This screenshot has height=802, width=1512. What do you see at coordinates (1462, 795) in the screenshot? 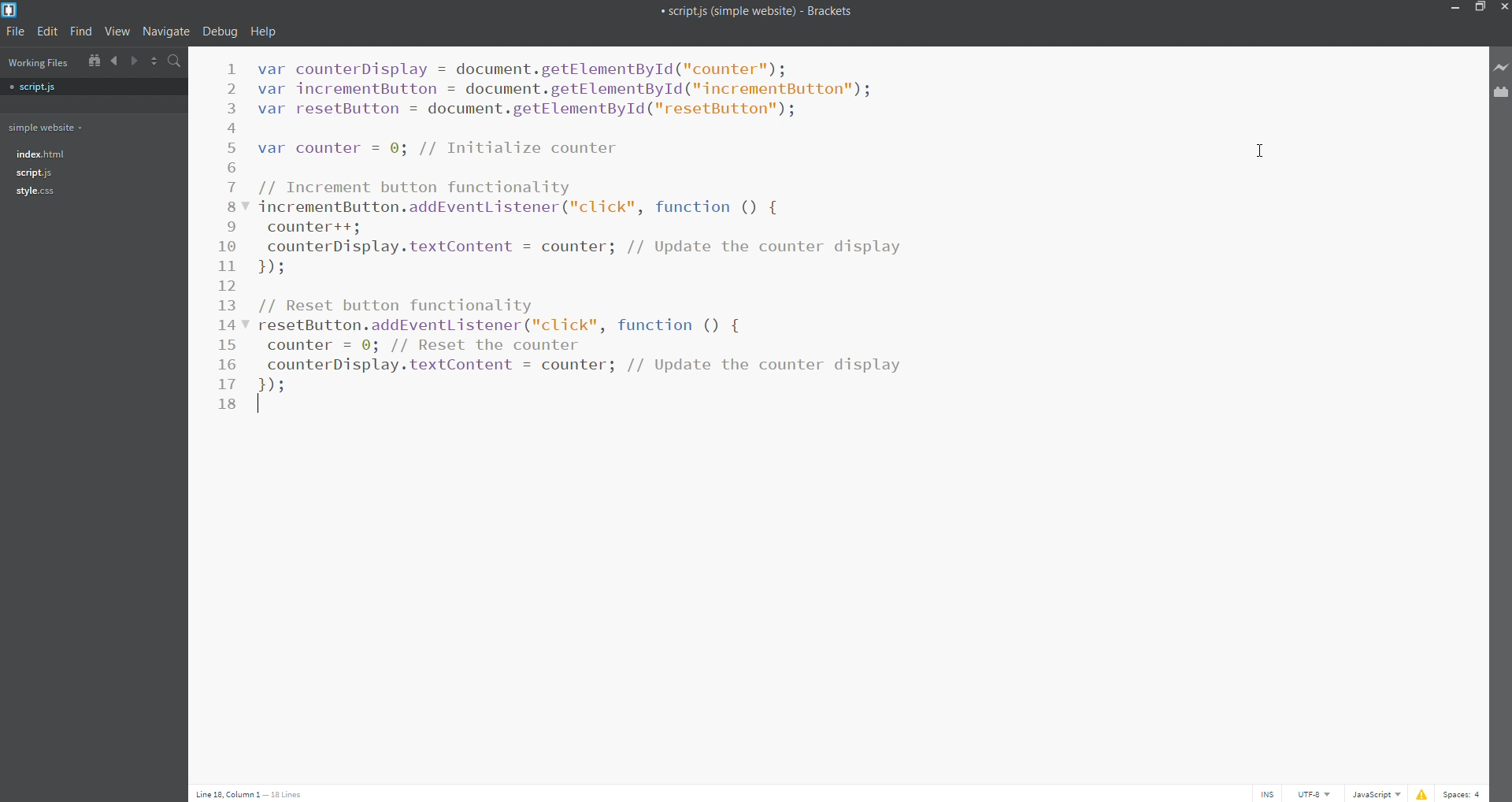
I see `space count` at bounding box center [1462, 795].